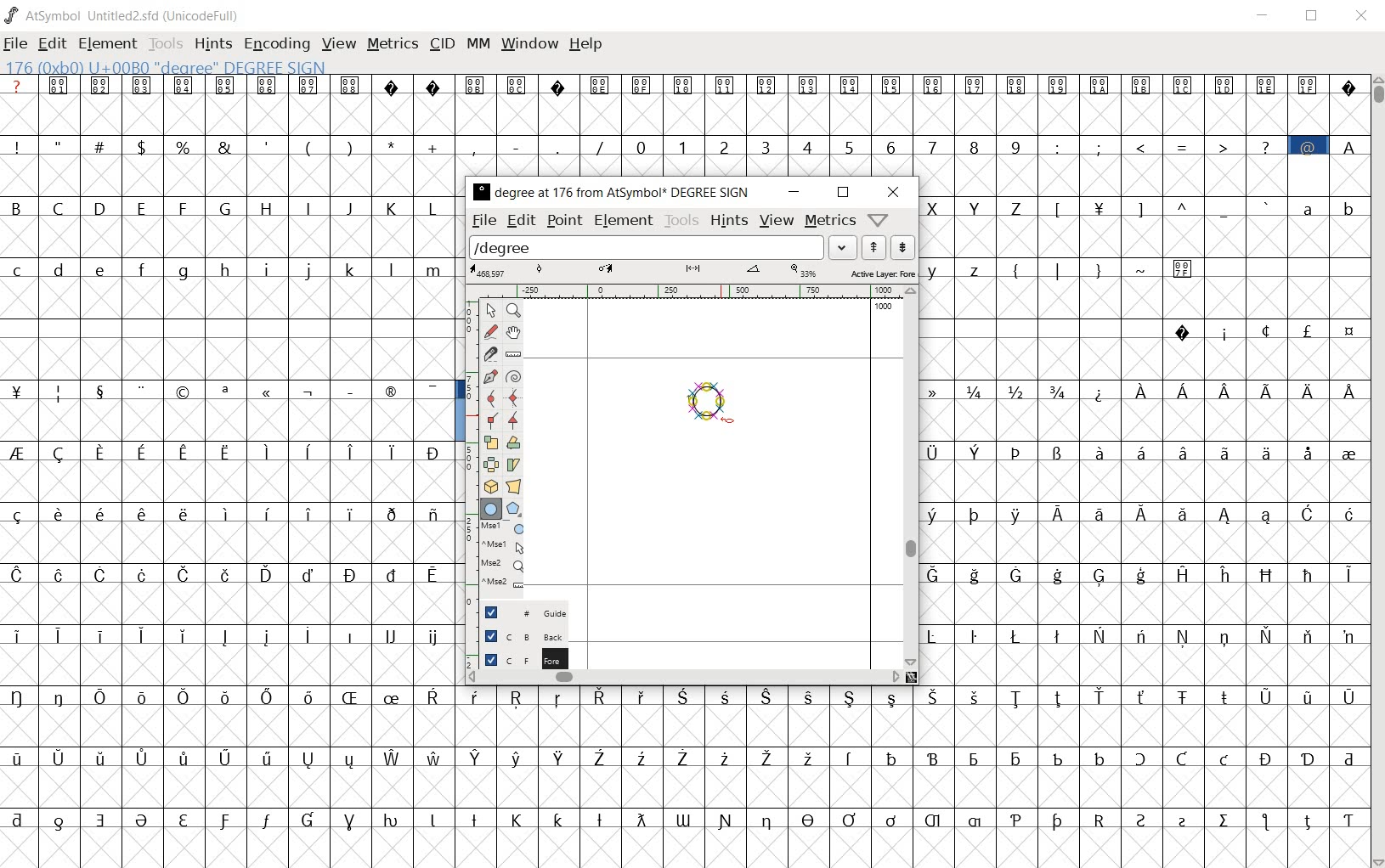 The height and width of the screenshot is (868, 1385). I want to click on special letters, so click(1144, 450).